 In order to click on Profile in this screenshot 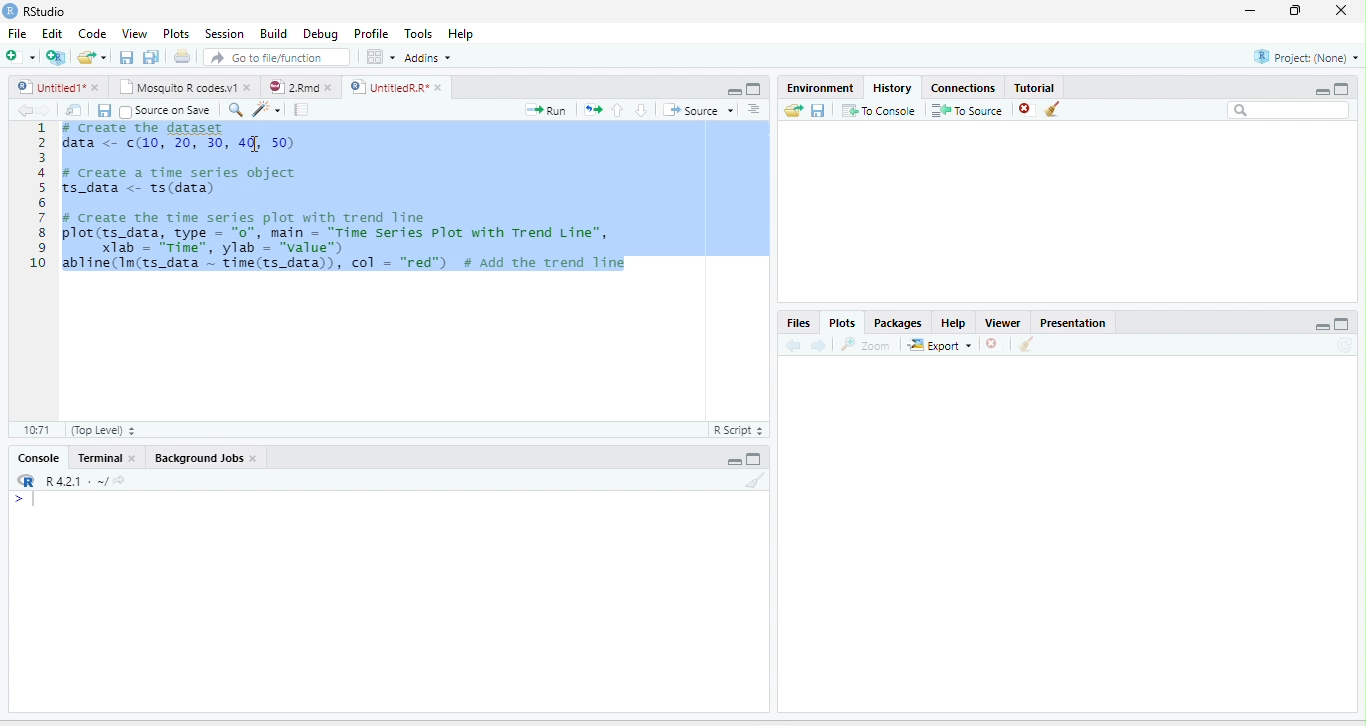, I will do `click(369, 34)`.